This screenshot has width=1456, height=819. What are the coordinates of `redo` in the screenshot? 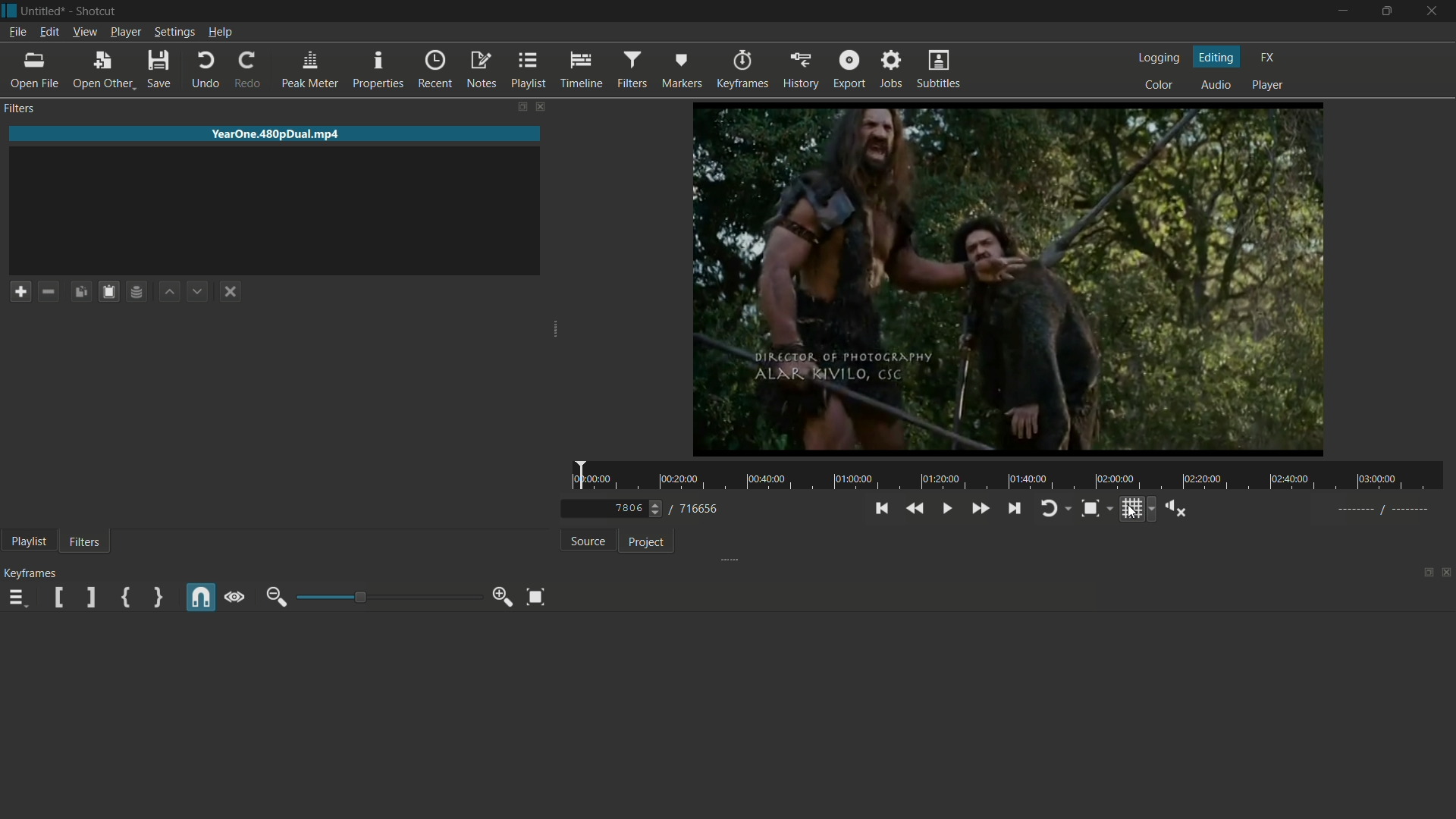 It's located at (248, 68).